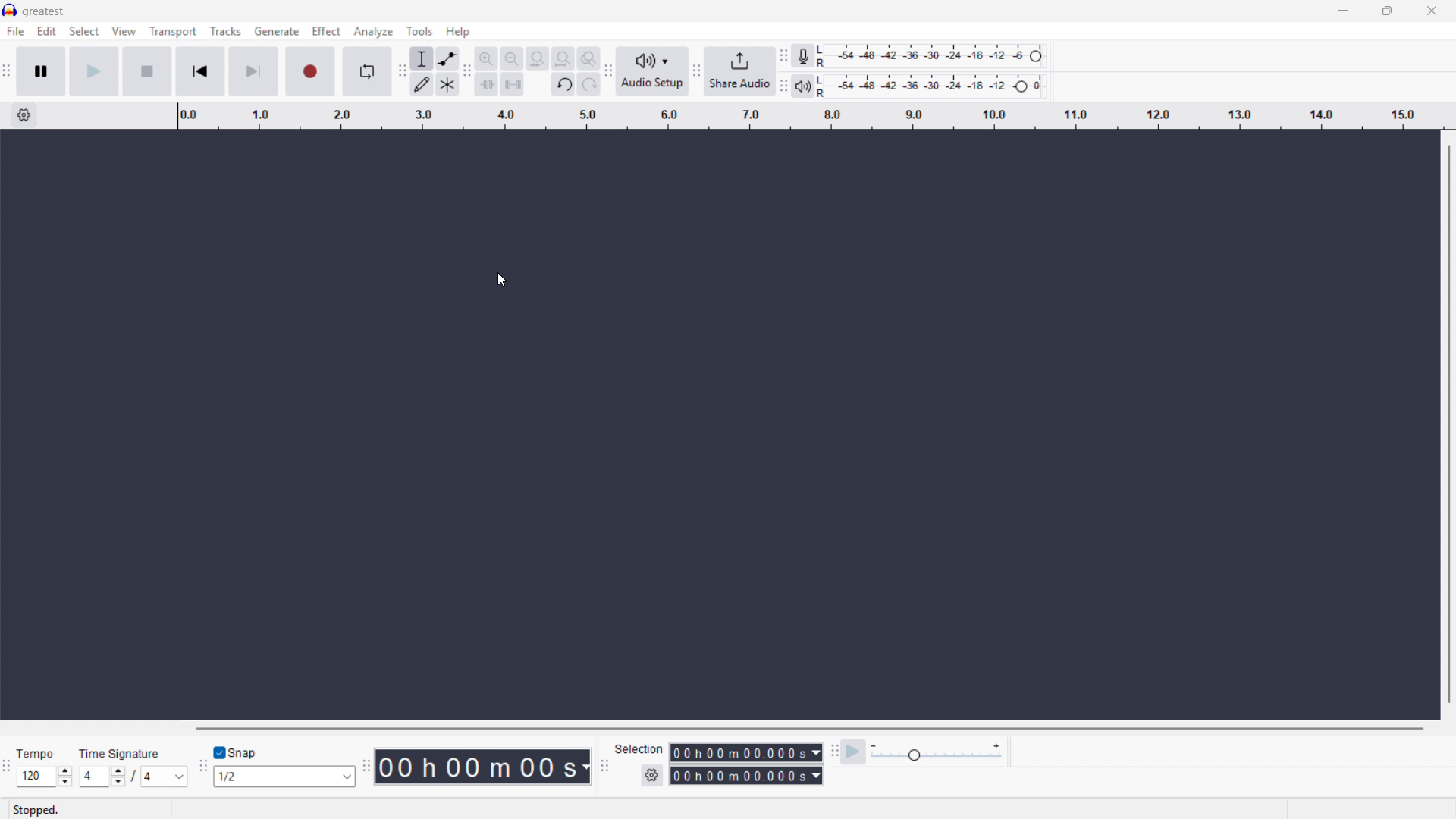 The image size is (1456, 819). I want to click on minimise , so click(1344, 11).